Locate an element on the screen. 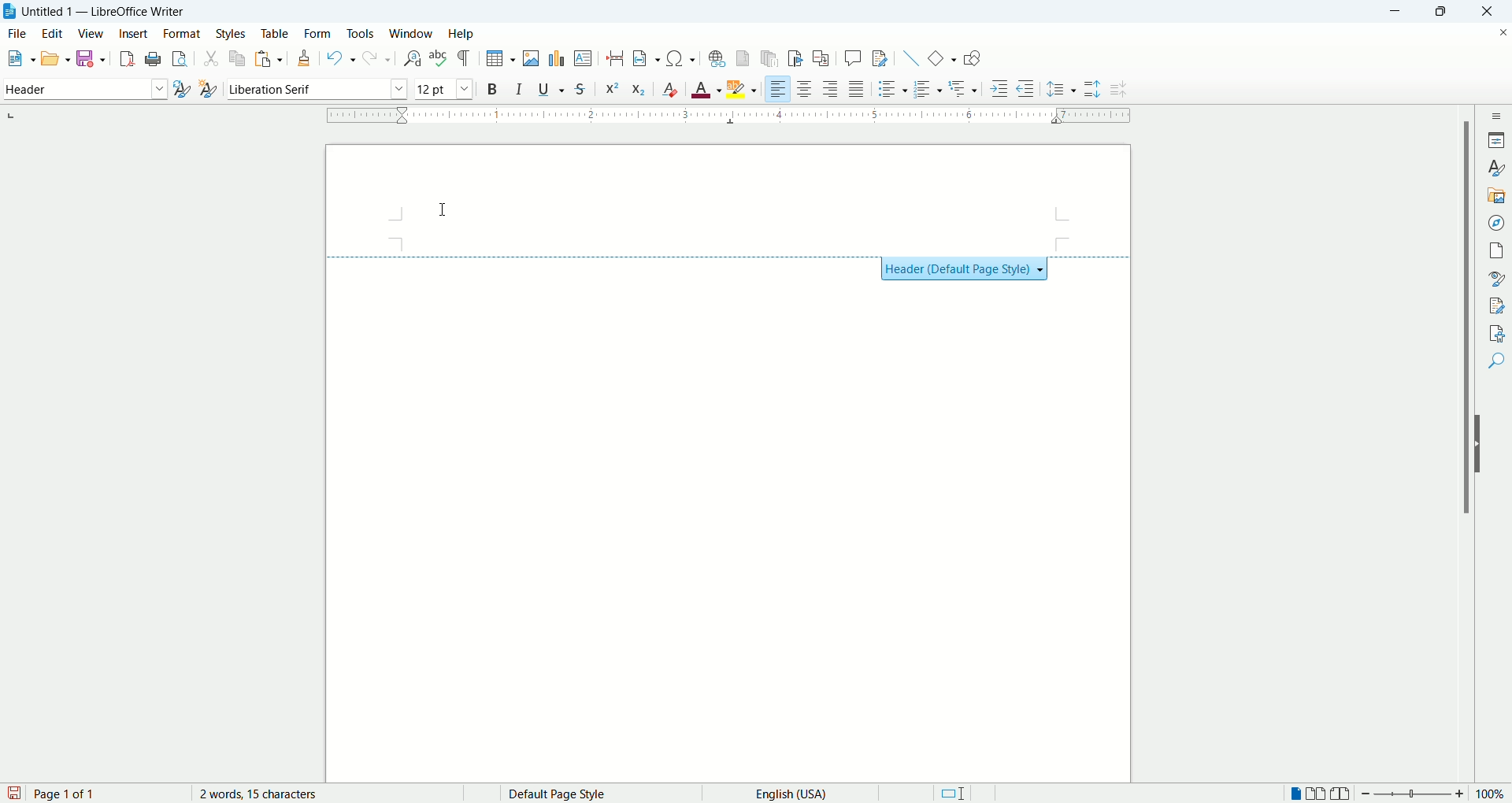  open is located at coordinates (50, 56).